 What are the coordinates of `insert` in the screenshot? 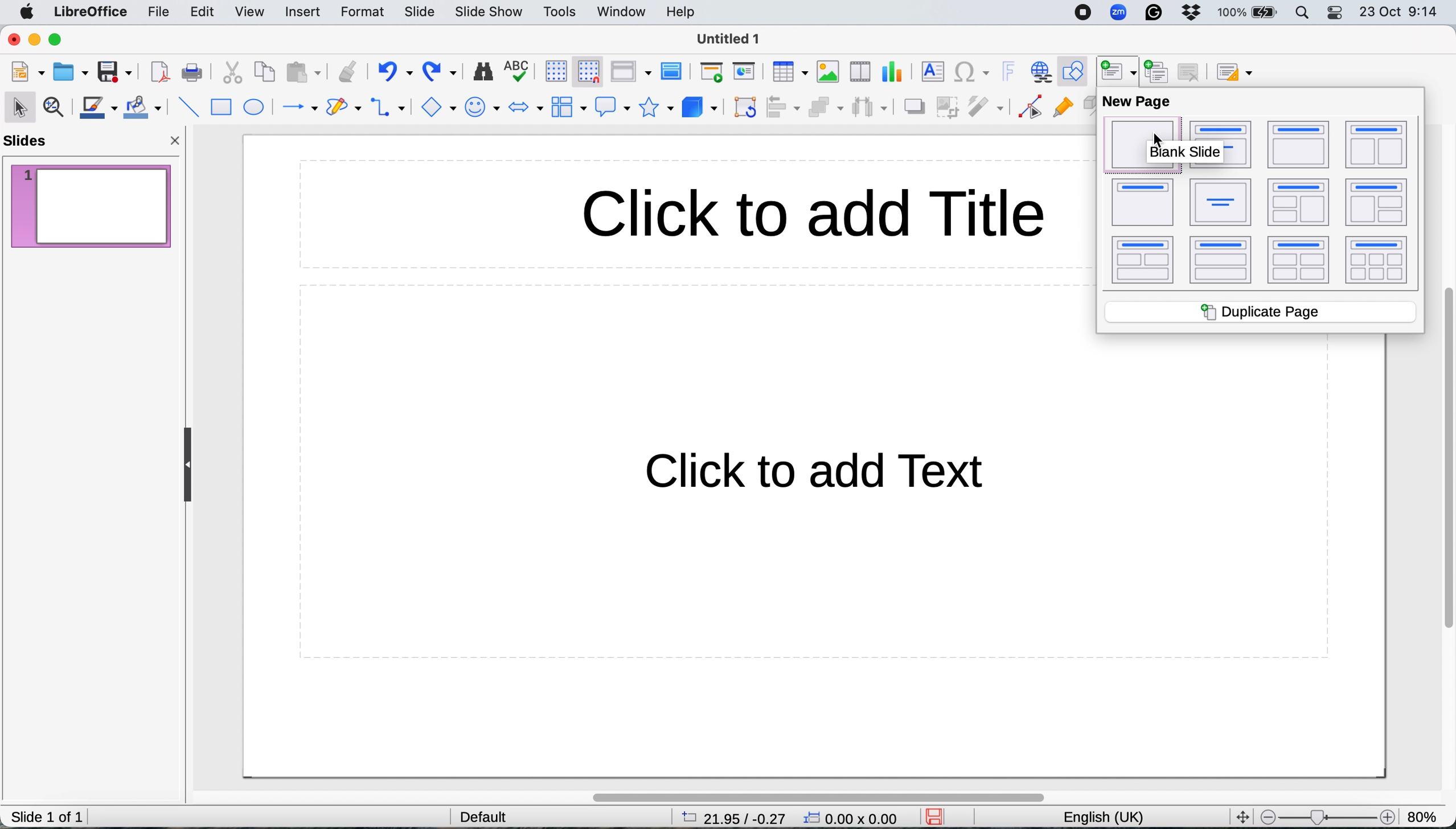 It's located at (303, 11).